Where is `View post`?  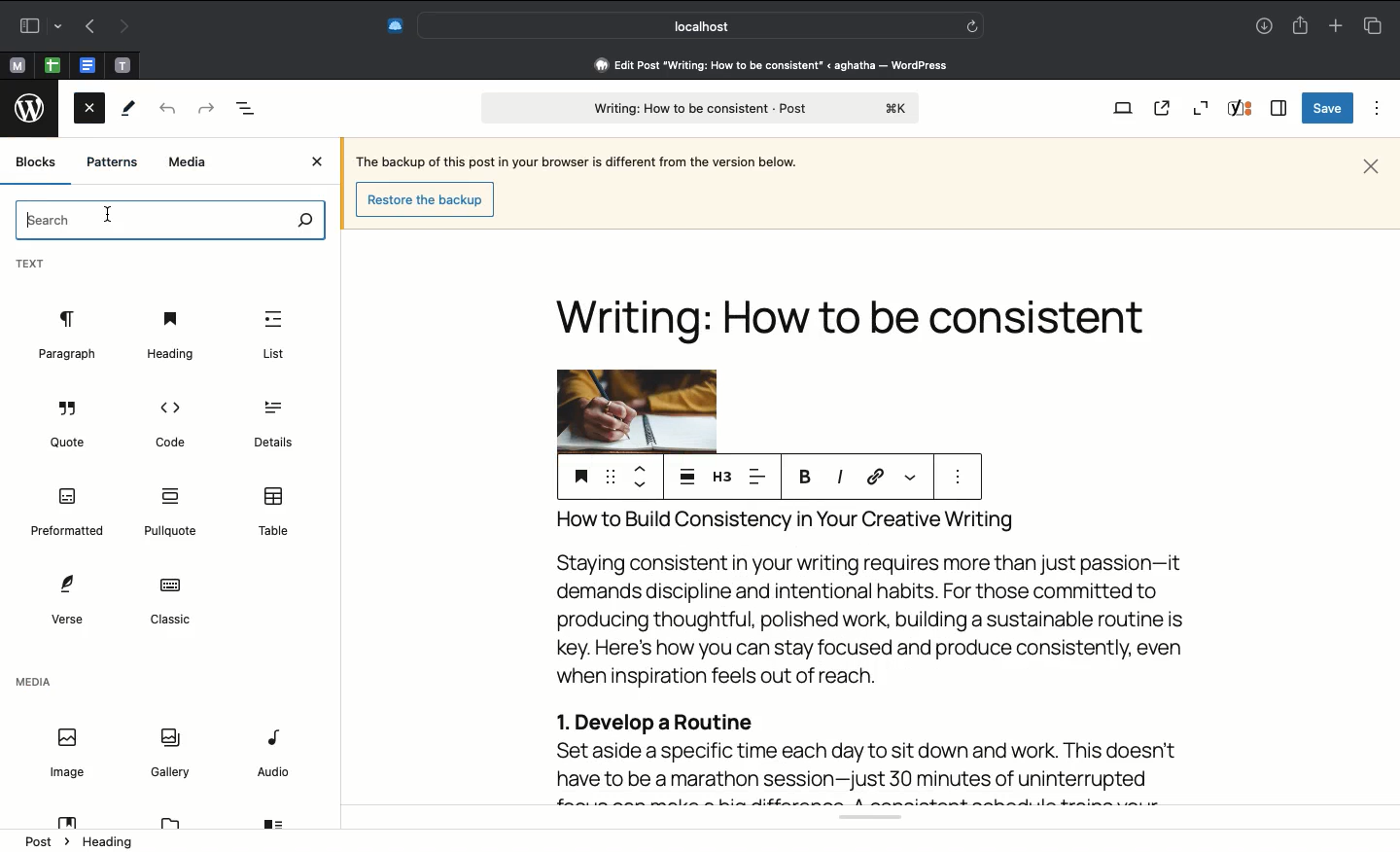
View post is located at coordinates (1162, 108).